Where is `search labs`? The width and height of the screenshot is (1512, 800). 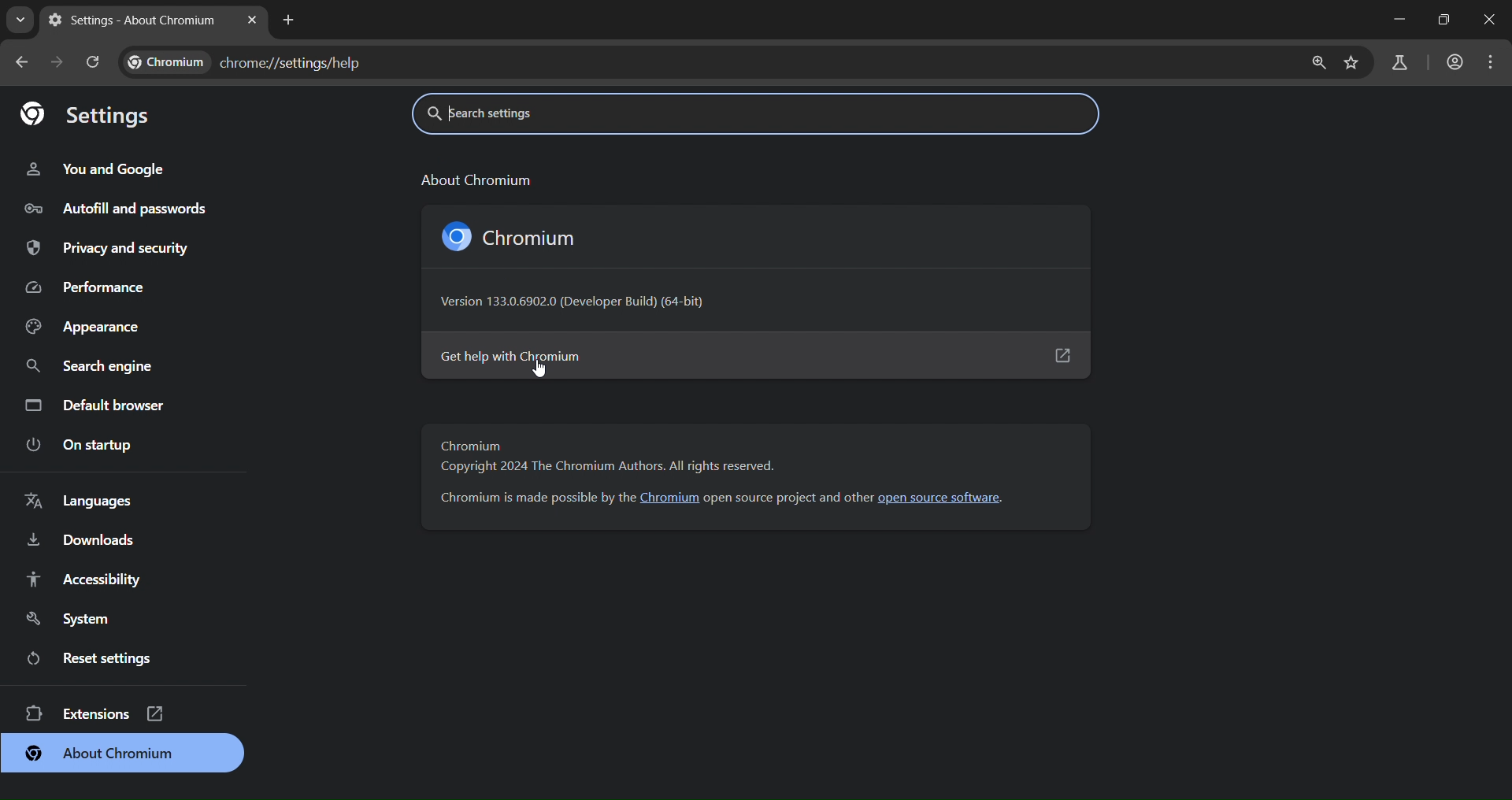 search labs is located at coordinates (20, 22).